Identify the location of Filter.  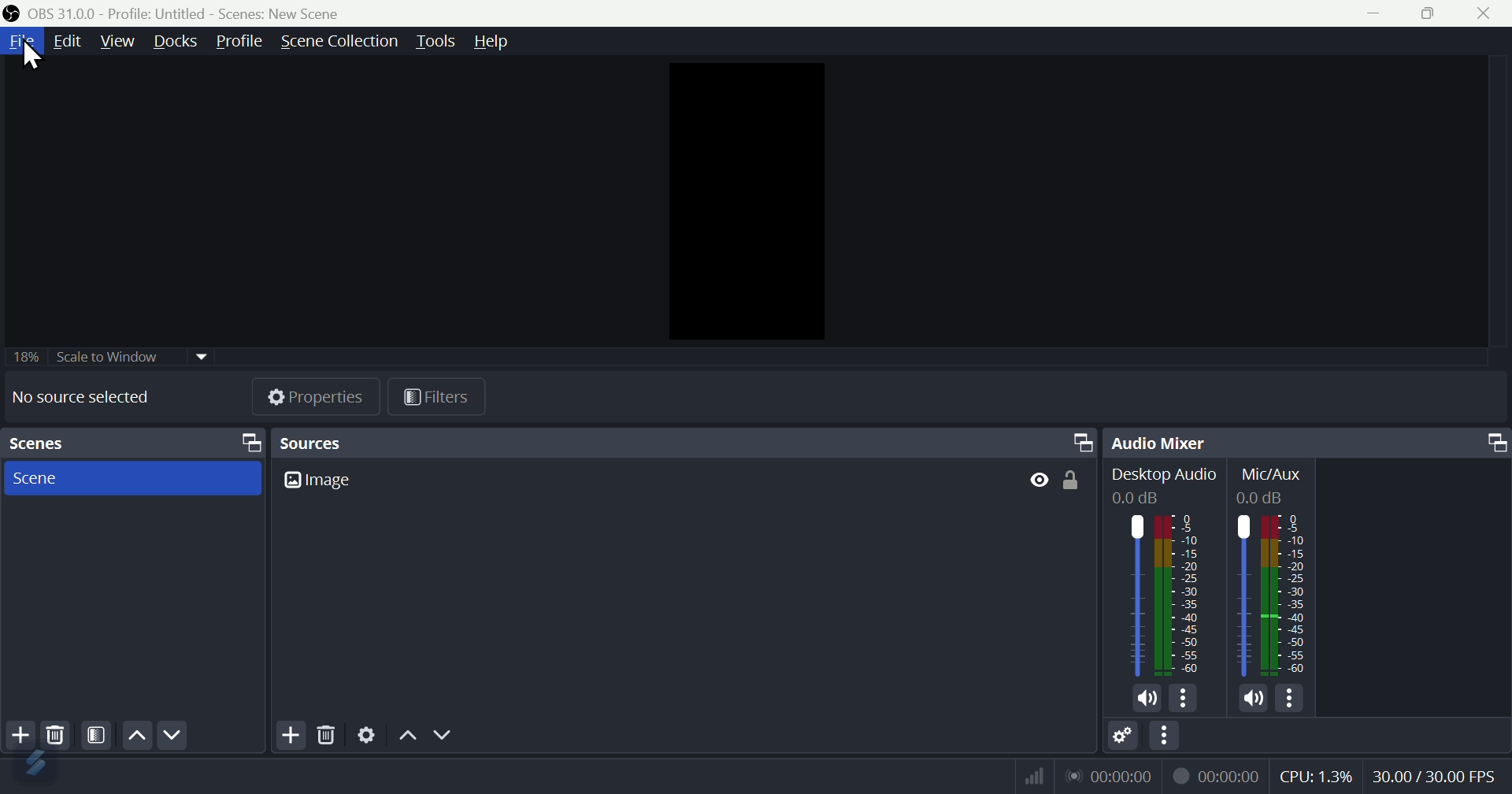
(97, 736).